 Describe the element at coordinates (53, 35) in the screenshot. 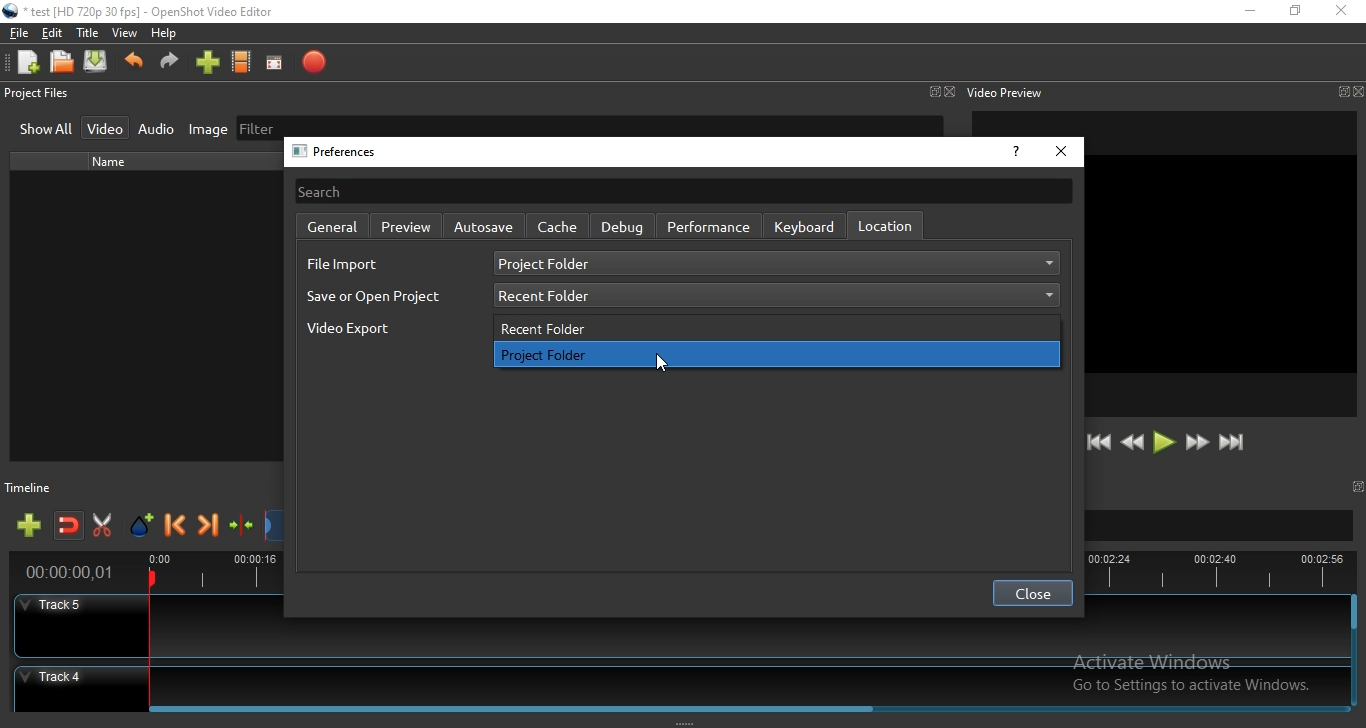

I see `Edit ` at that location.